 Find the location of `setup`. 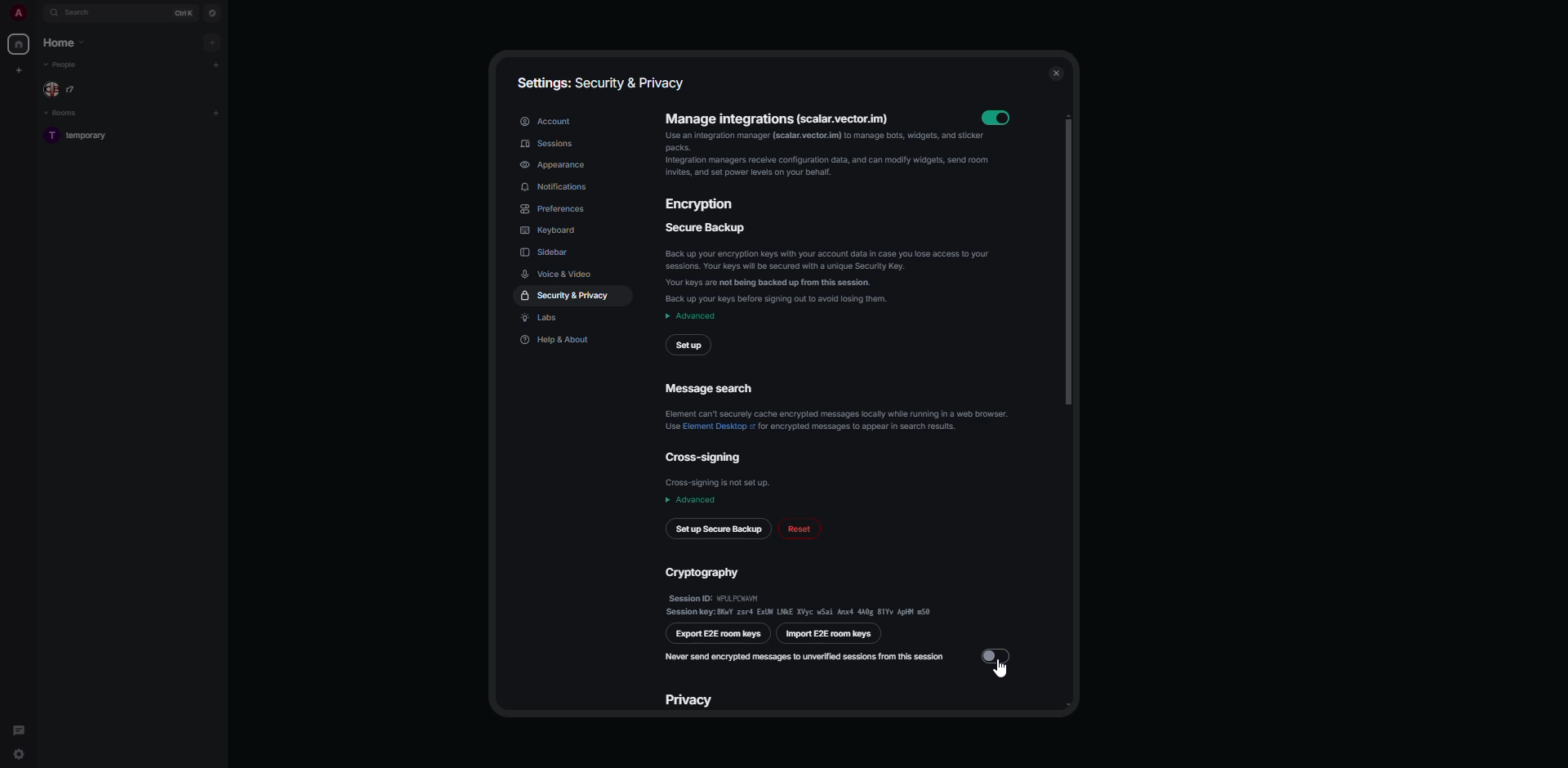

setup is located at coordinates (688, 344).